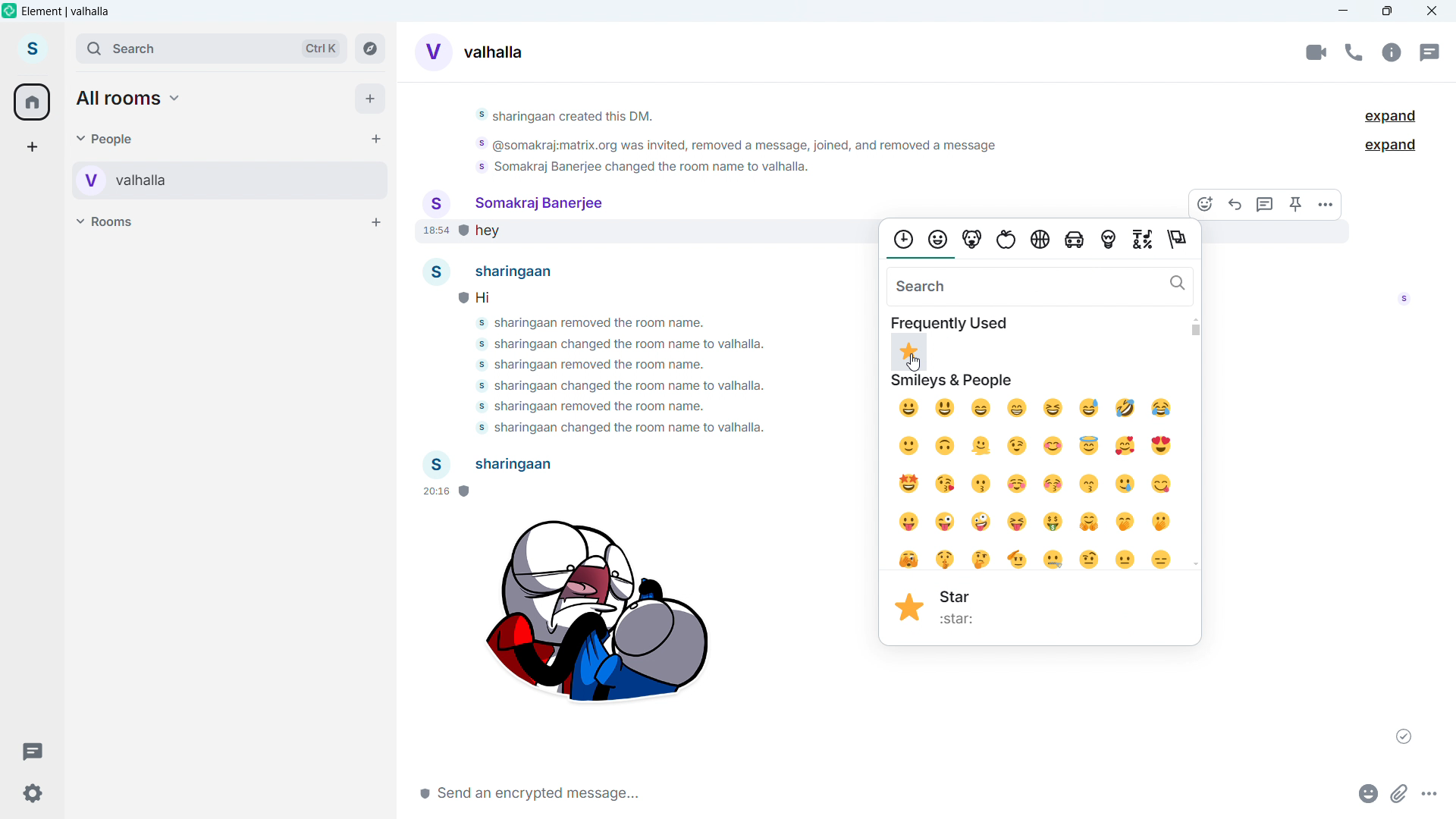 The width and height of the screenshot is (1456, 819). Describe the element at coordinates (1392, 145) in the screenshot. I see `Expand ` at that location.